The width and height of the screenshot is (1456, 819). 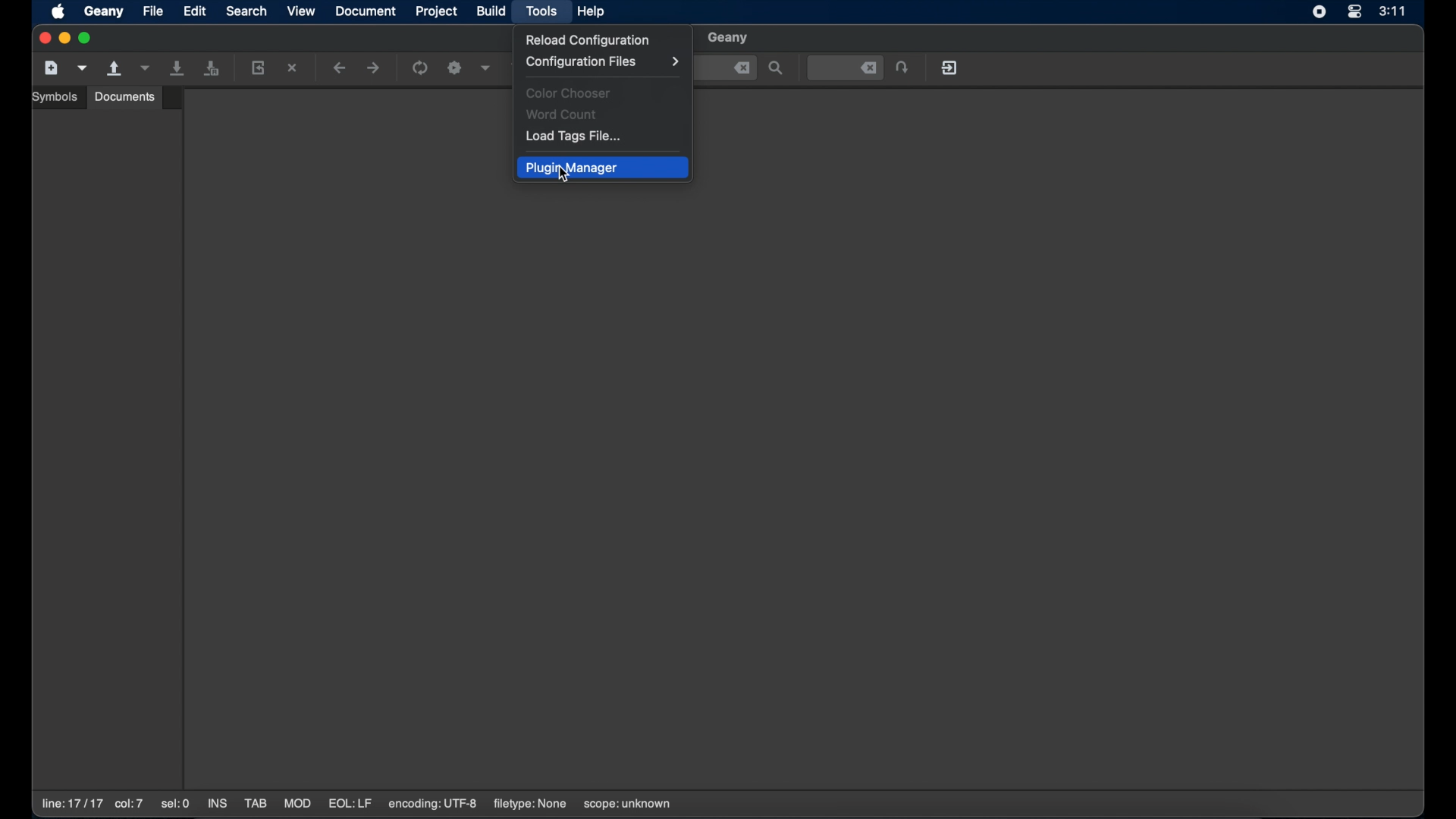 What do you see at coordinates (115, 69) in the screenshot?
I see `open an existing file` at bounding box center [115, 69].